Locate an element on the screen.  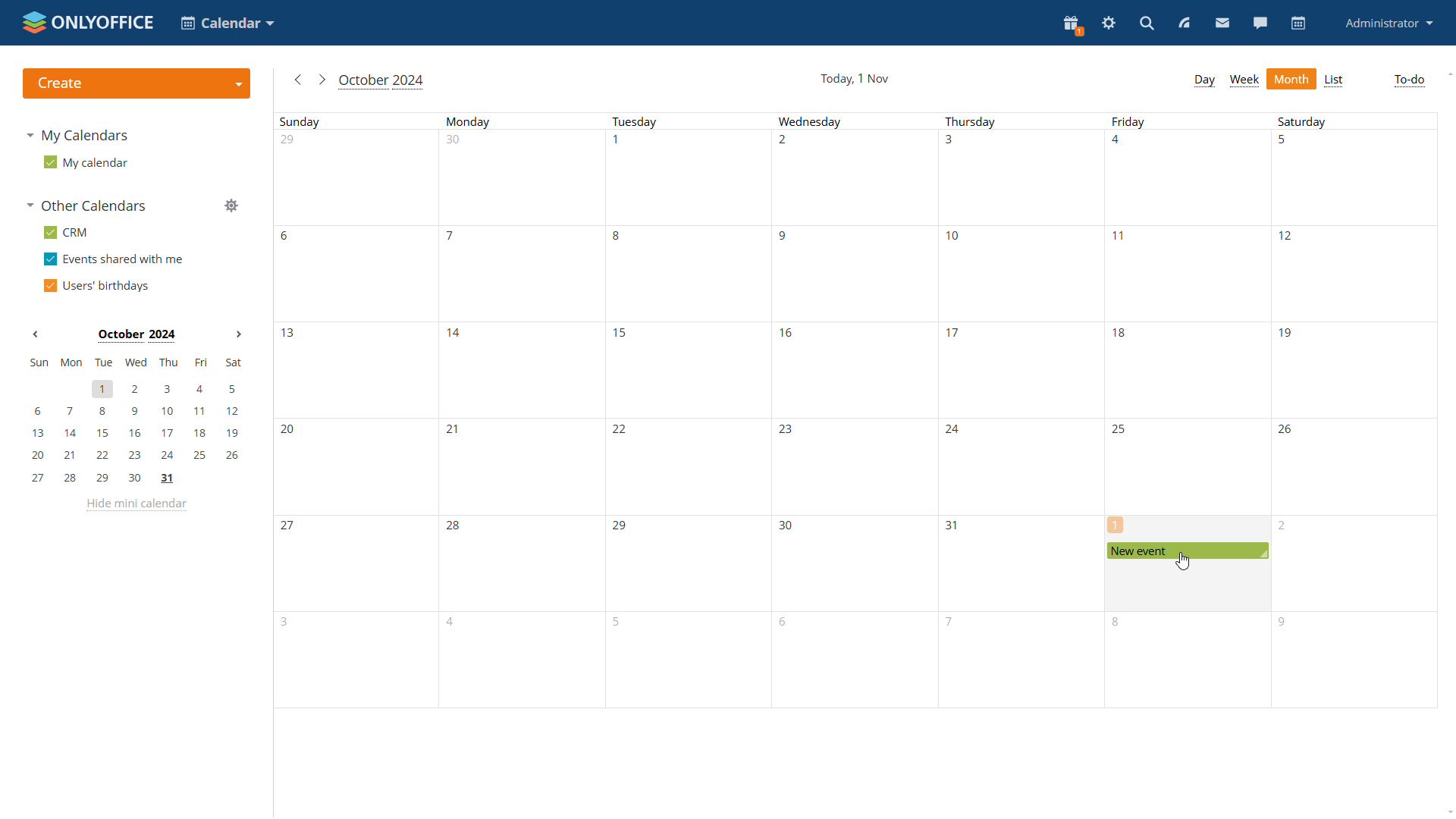
to-do is located at coordinates (1408, 81).